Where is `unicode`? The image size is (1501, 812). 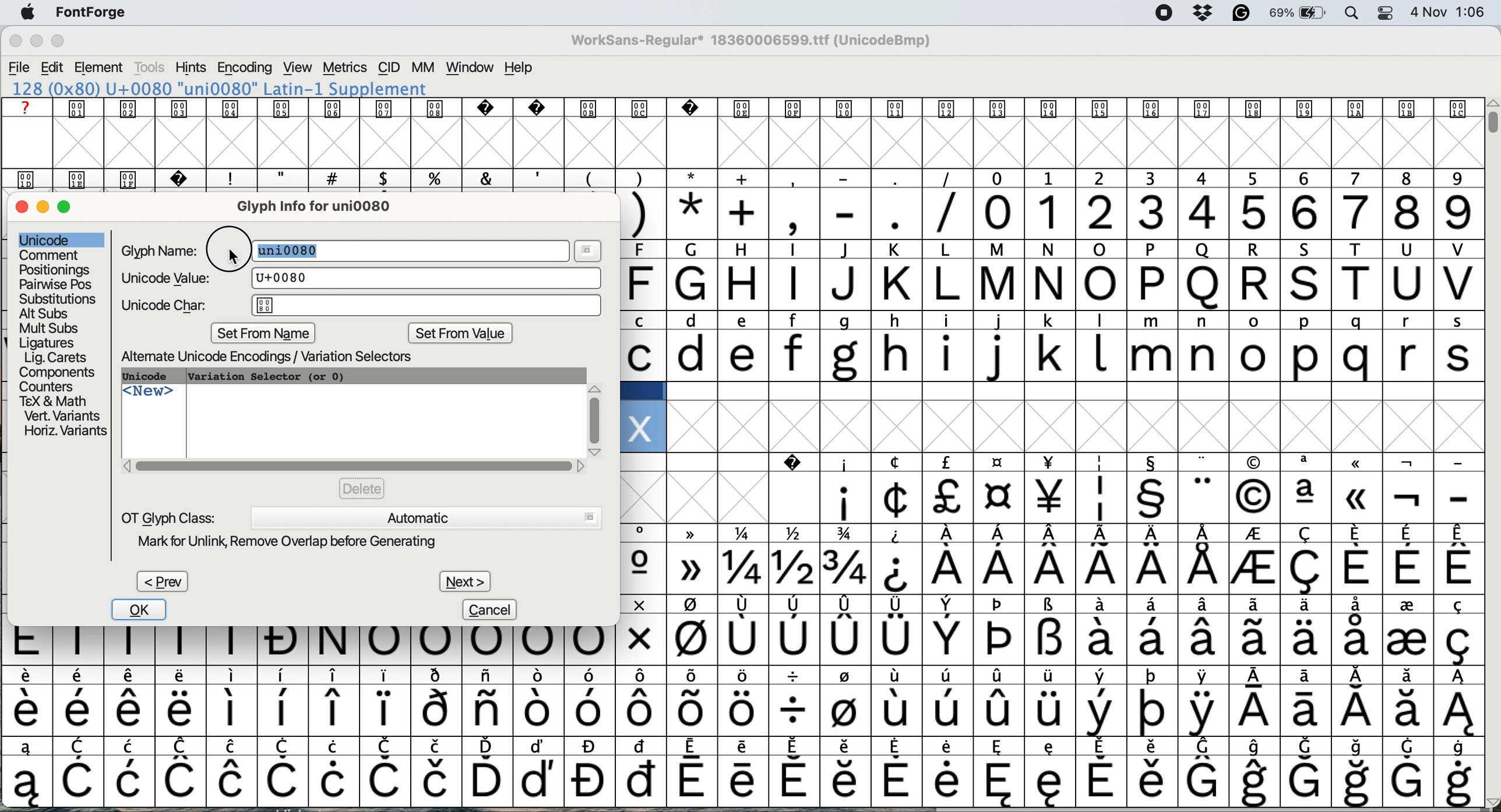 unicode is located at coordinates (47, 239).